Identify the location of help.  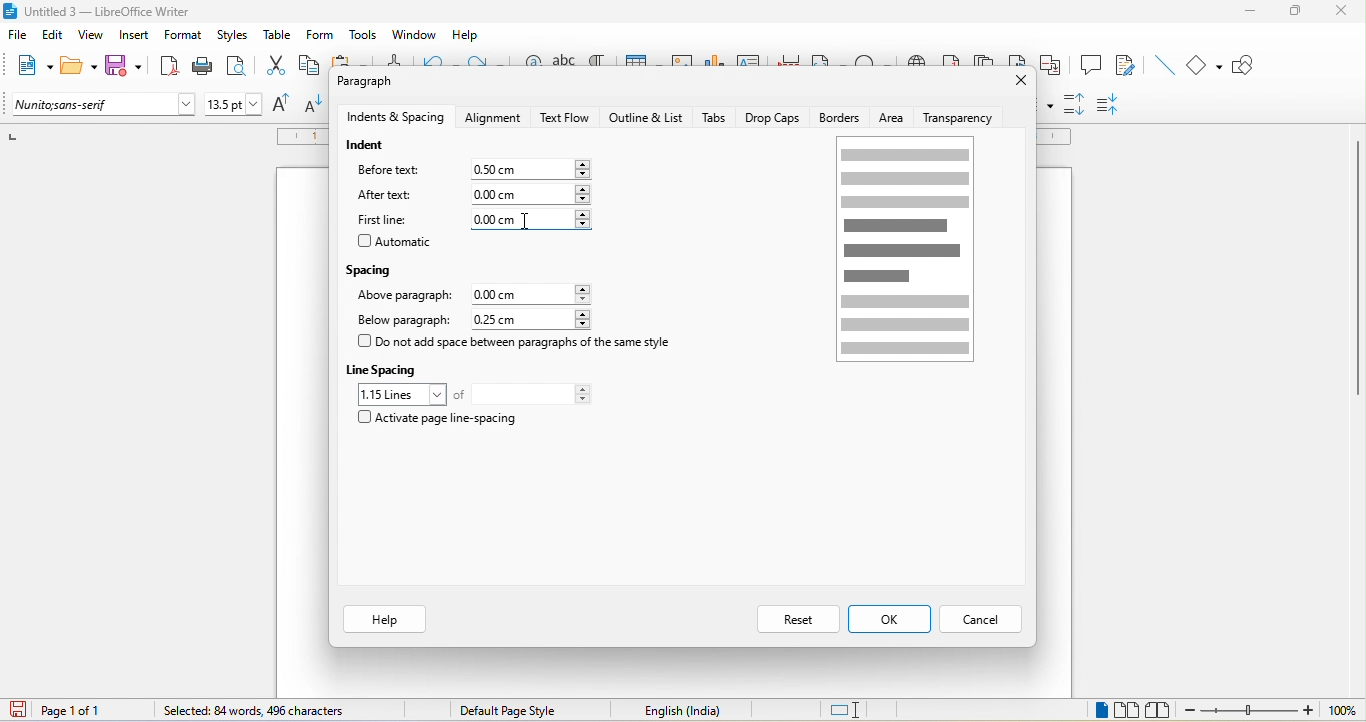
(464, 34).